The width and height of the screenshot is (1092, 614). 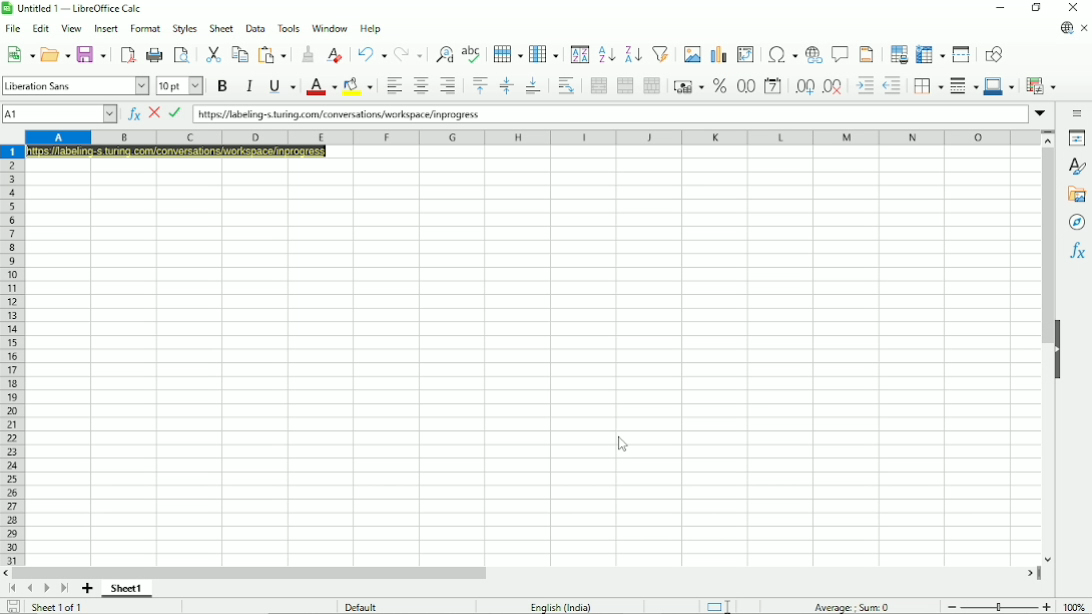 What do you see at coordinates (60, 114) in the screenshot?
I see `Current cell` at bounding box center [60, 114].